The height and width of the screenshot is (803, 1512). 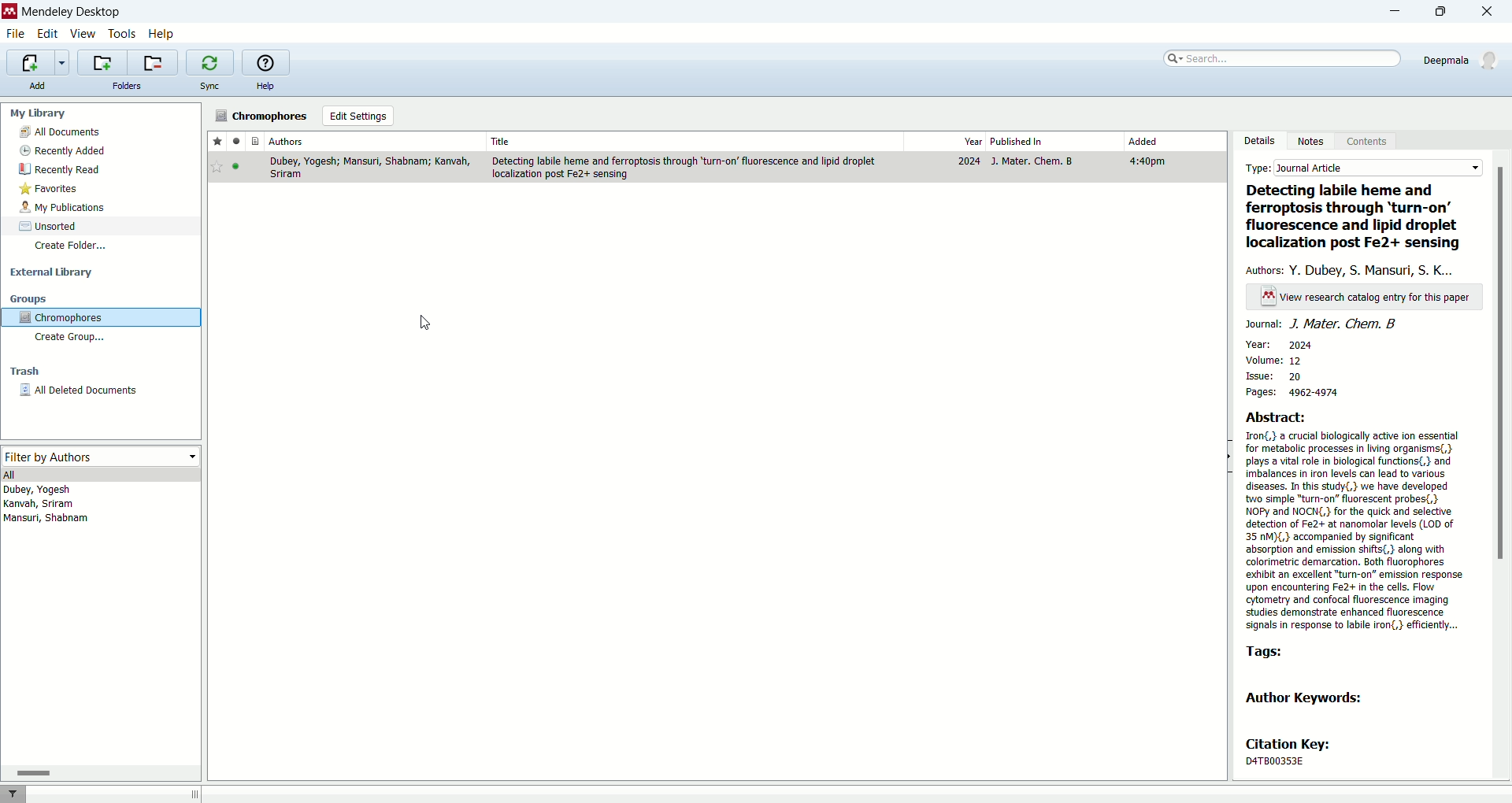 What do you see at coordinates (64, 150) in the screenshot?
I see `recently added` at bounding box center [64, 150].